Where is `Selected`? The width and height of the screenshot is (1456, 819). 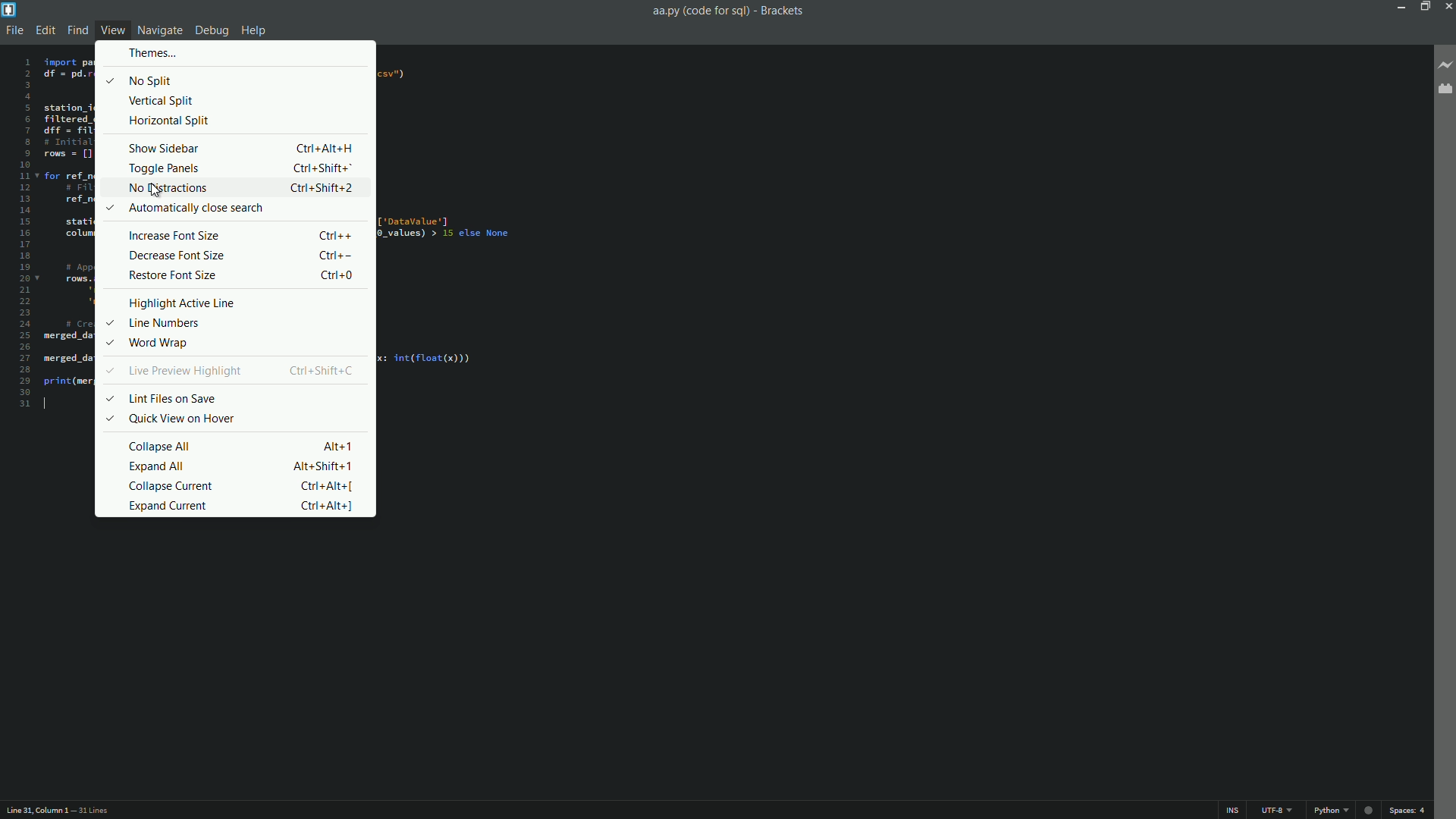 Selected is located at coordinates (109, 423).